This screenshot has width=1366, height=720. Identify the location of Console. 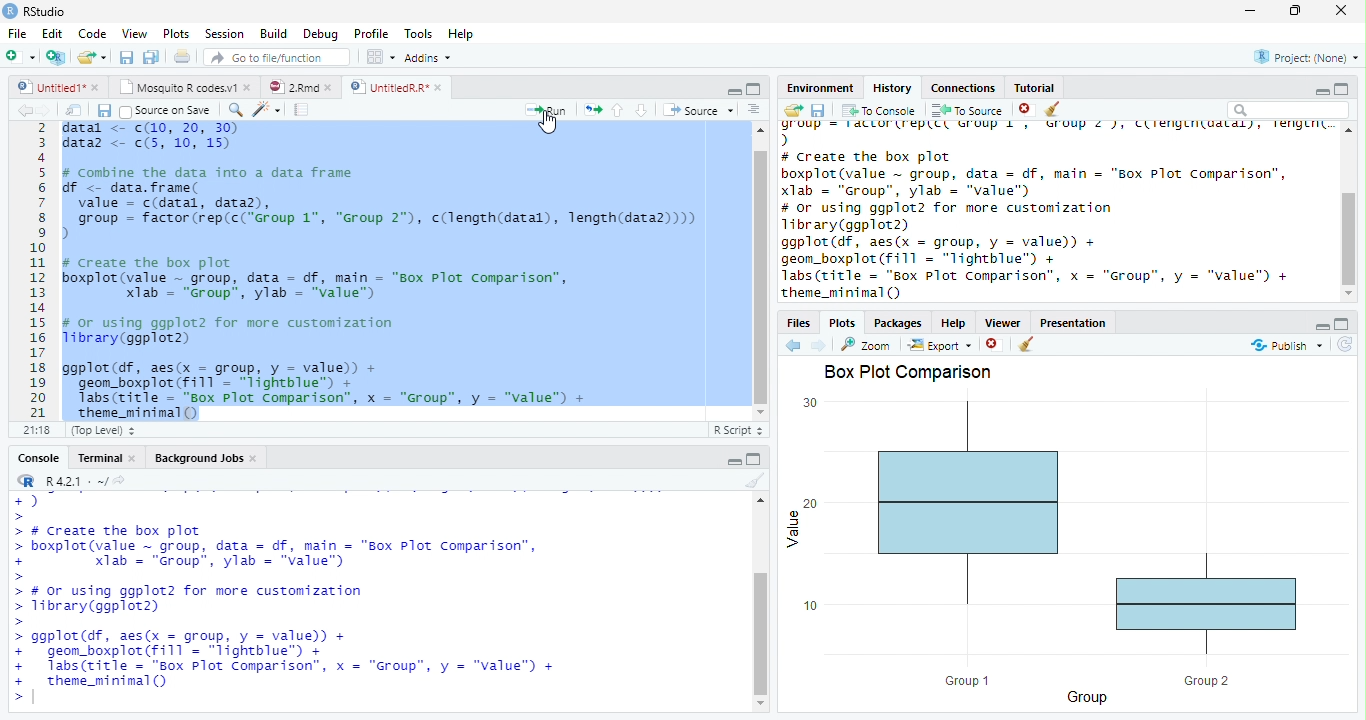
(38, 458).